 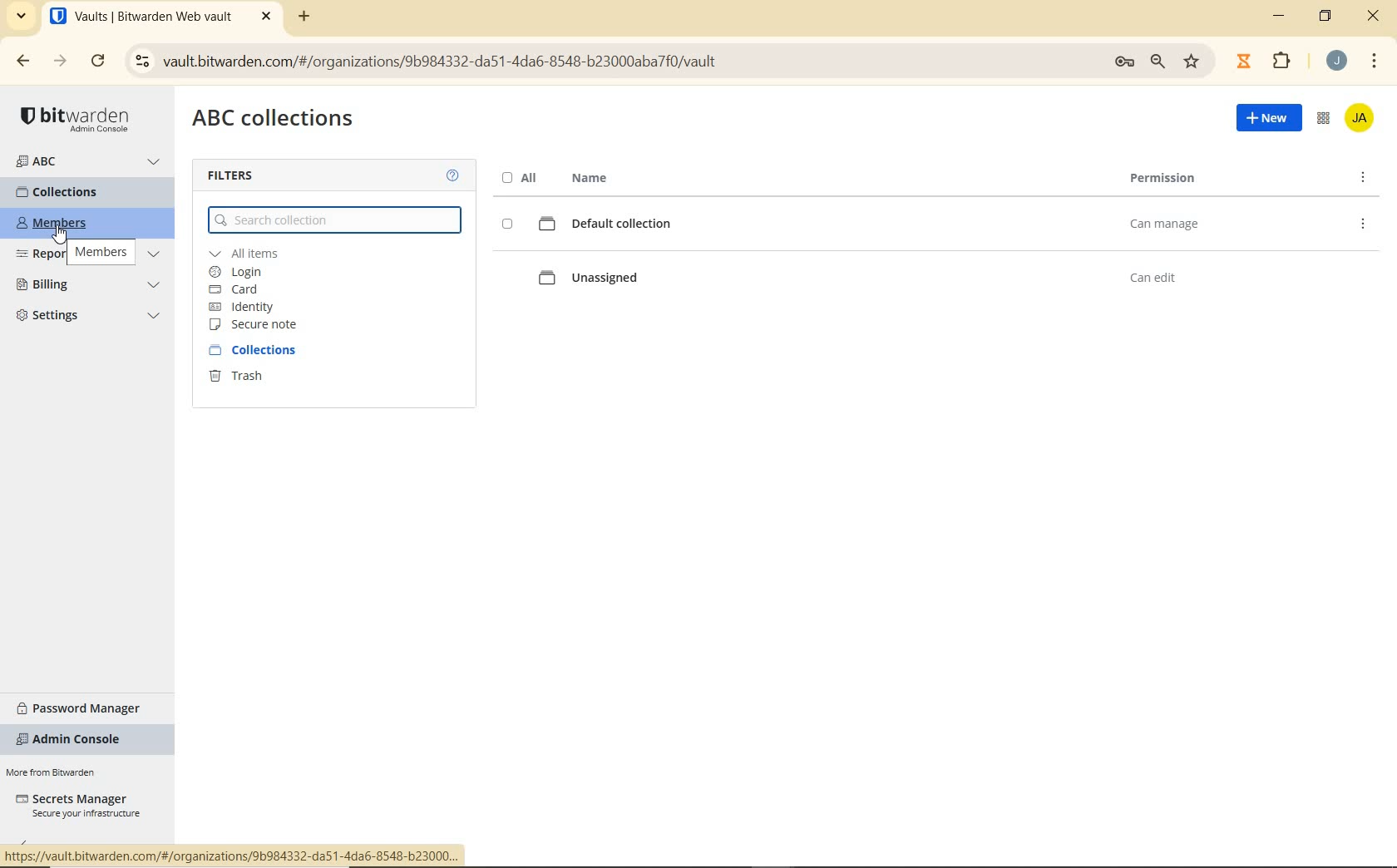 What do you see at coordinates (86, 706) in the screenshot?
I see `PASSWORD MANAGER` at bounding box center [86, 706].